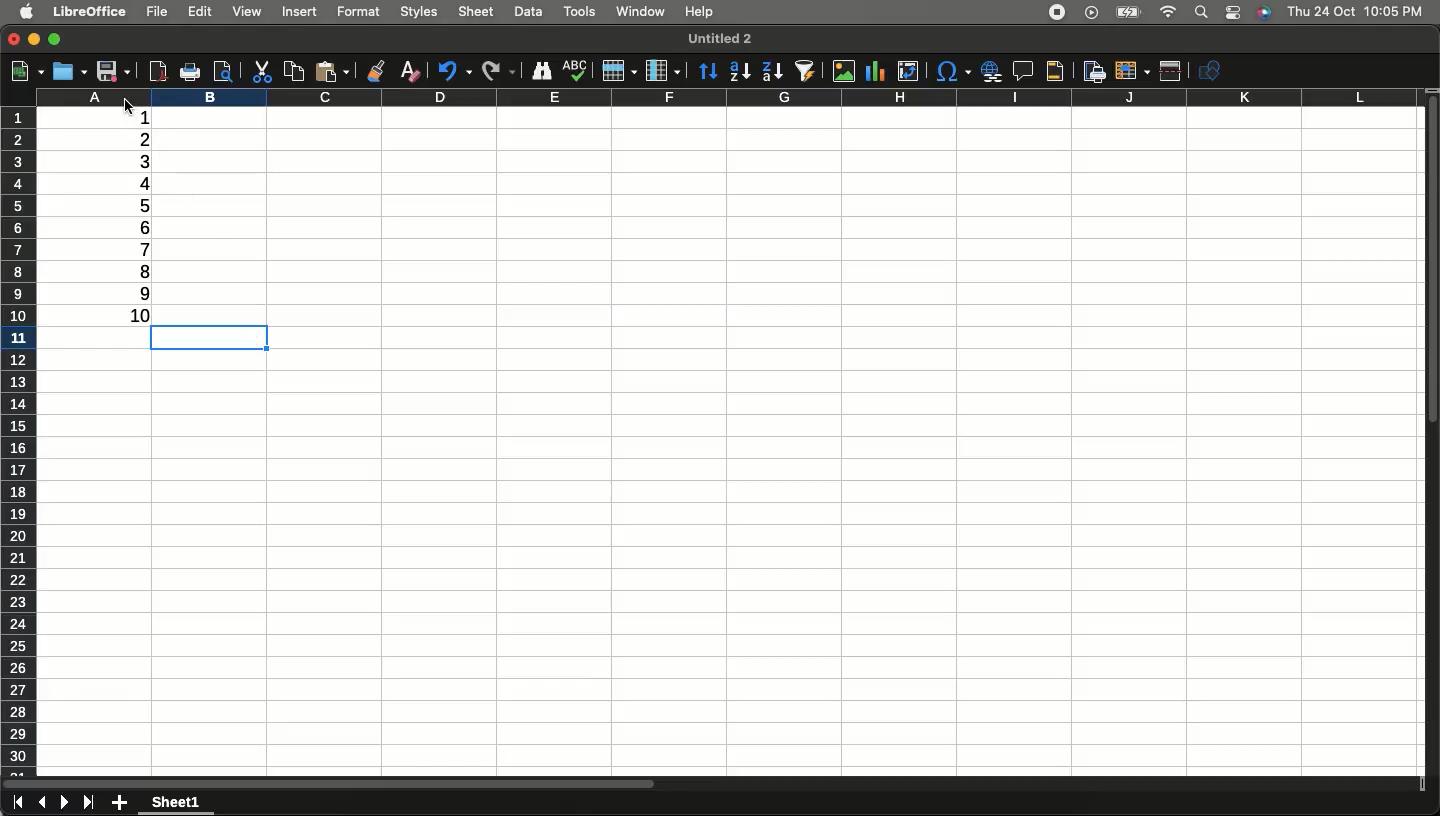  What do you see at coordinates (664, 68) in the screenshot?
I see `Column` at bounding box center [664, 68].